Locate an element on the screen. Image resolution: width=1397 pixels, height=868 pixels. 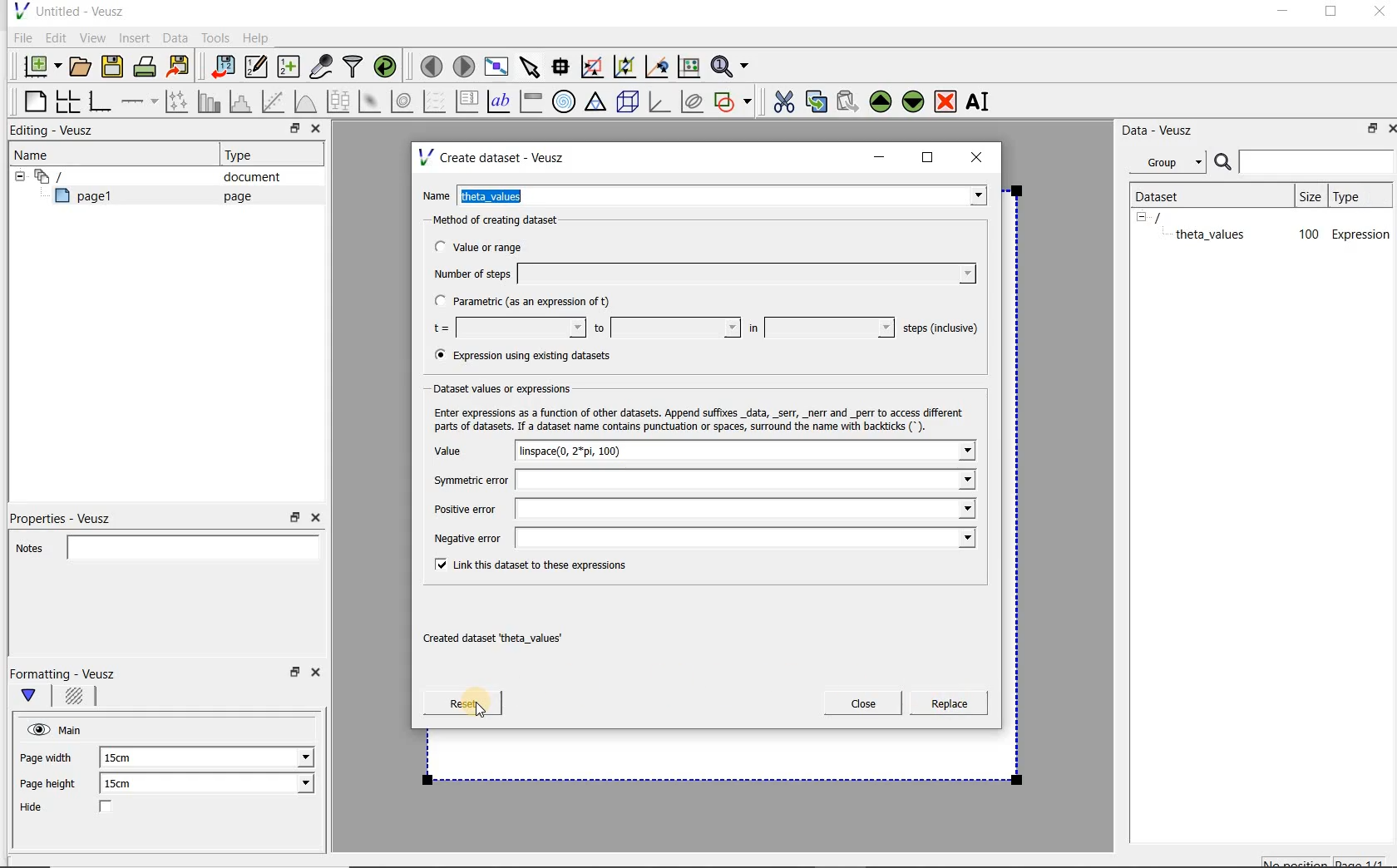
3d graph is located at coordinates (660, 103).